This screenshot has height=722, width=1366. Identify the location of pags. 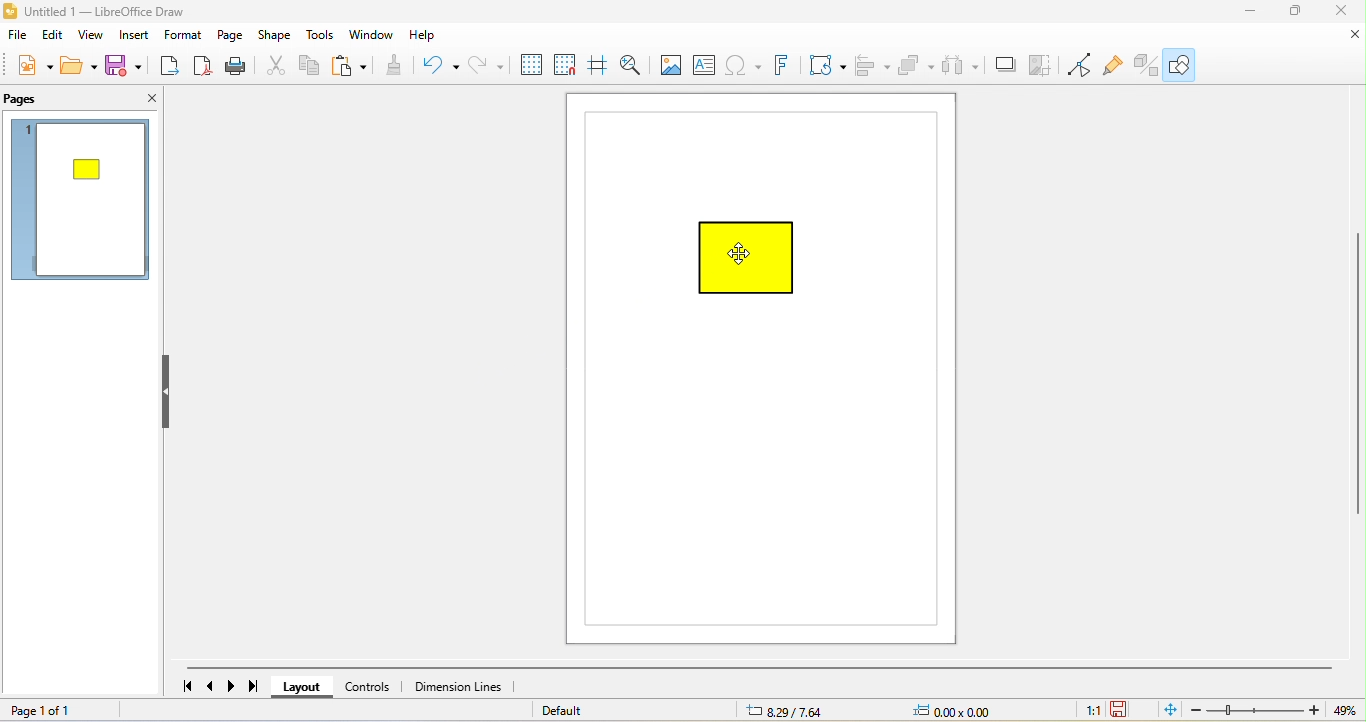
(26, 100).